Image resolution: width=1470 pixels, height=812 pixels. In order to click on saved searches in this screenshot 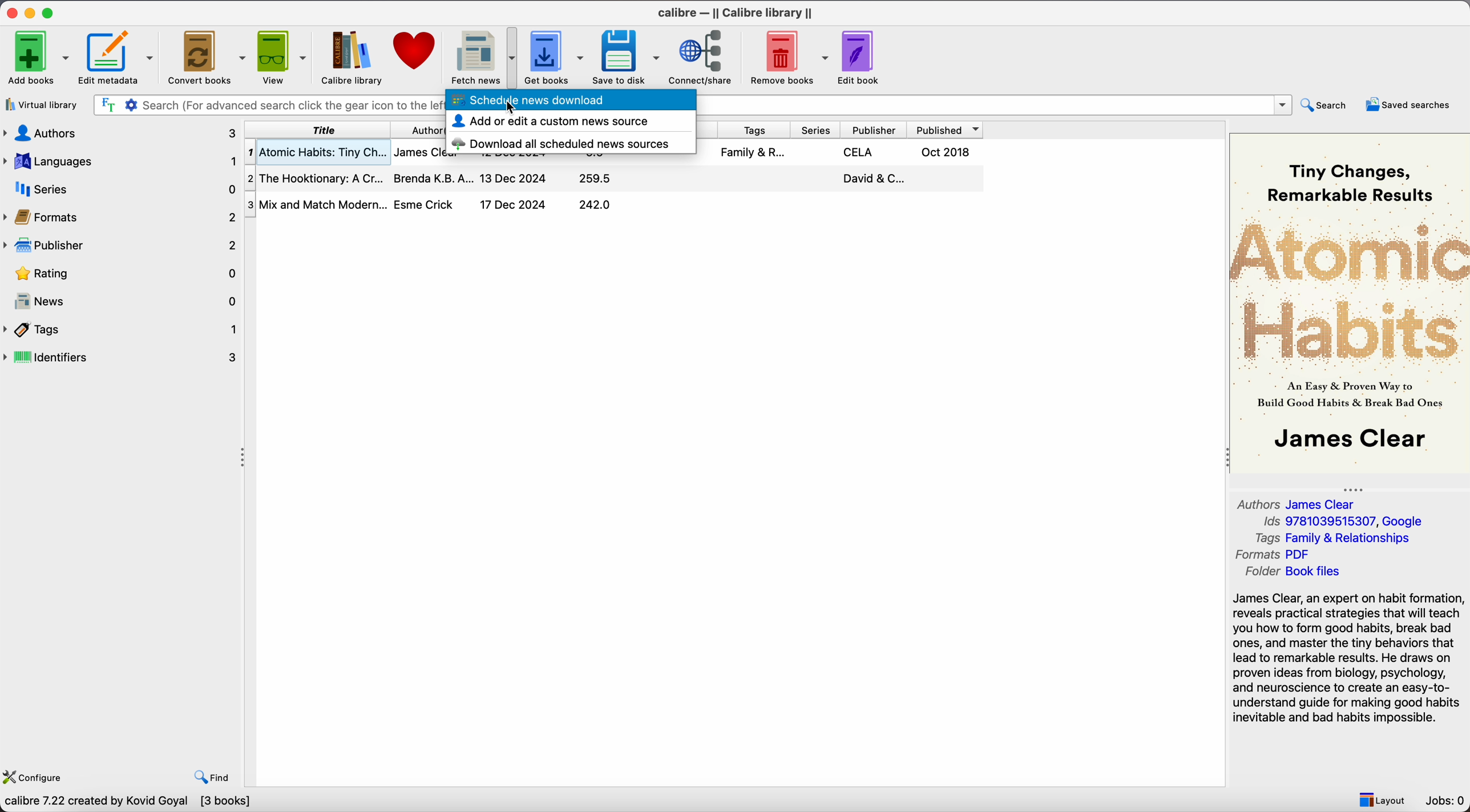, I will do `click(1411, 104)`.